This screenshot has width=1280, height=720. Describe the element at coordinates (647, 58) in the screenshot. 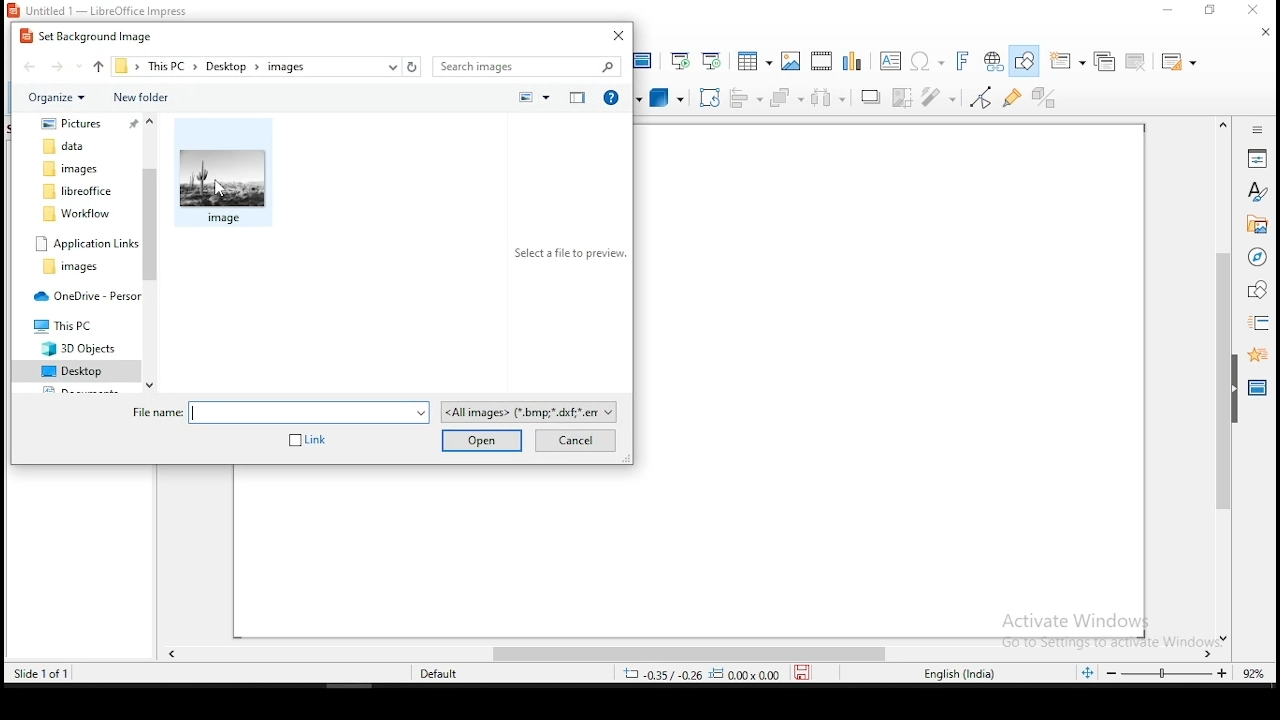

I see `master slide` at that location.